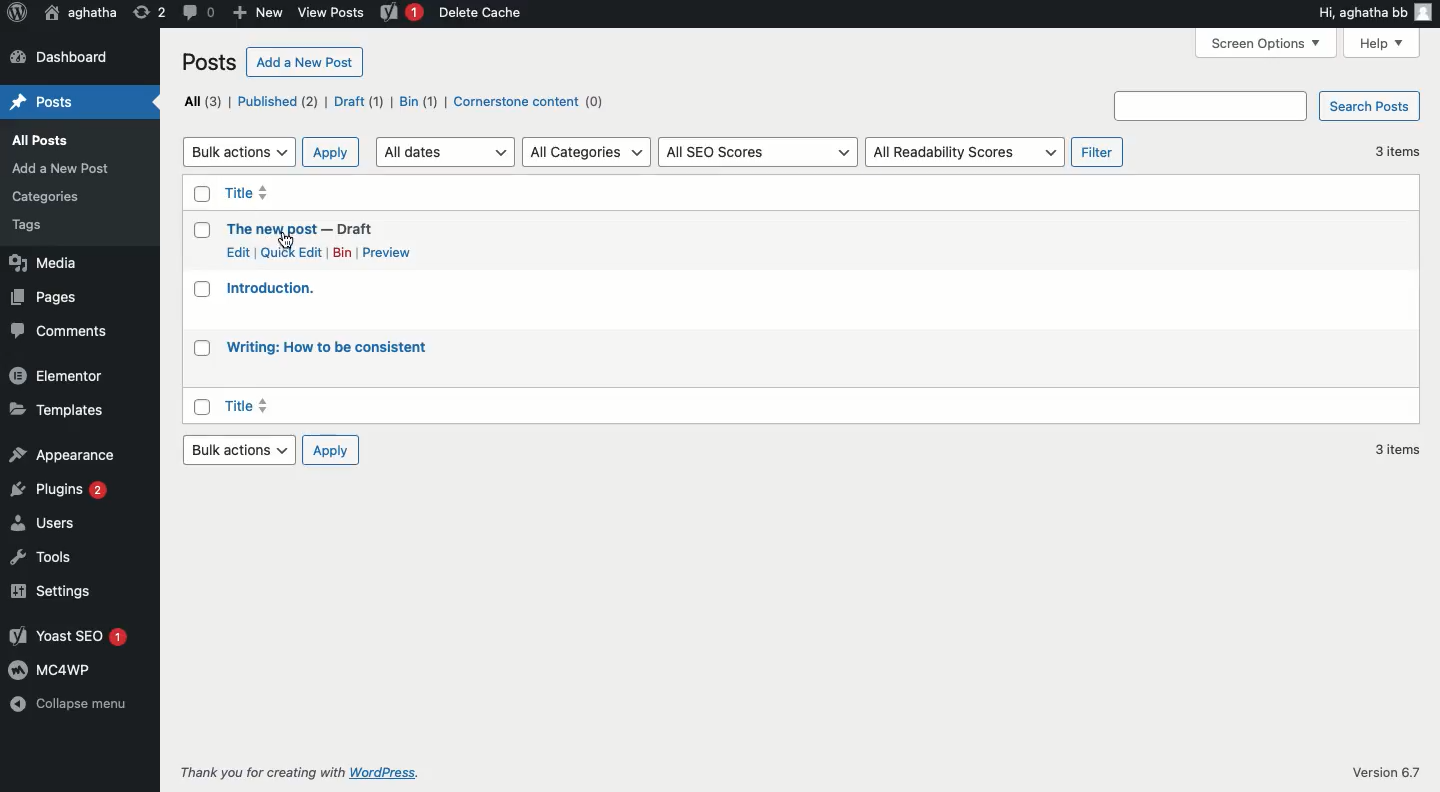 Image resolution: width=1440 pixels, height=792 pixels. What do you see at coordinates (1384, 772) in the screenshot?
I see `Version 6.7` at bounding box center [1384, 772].